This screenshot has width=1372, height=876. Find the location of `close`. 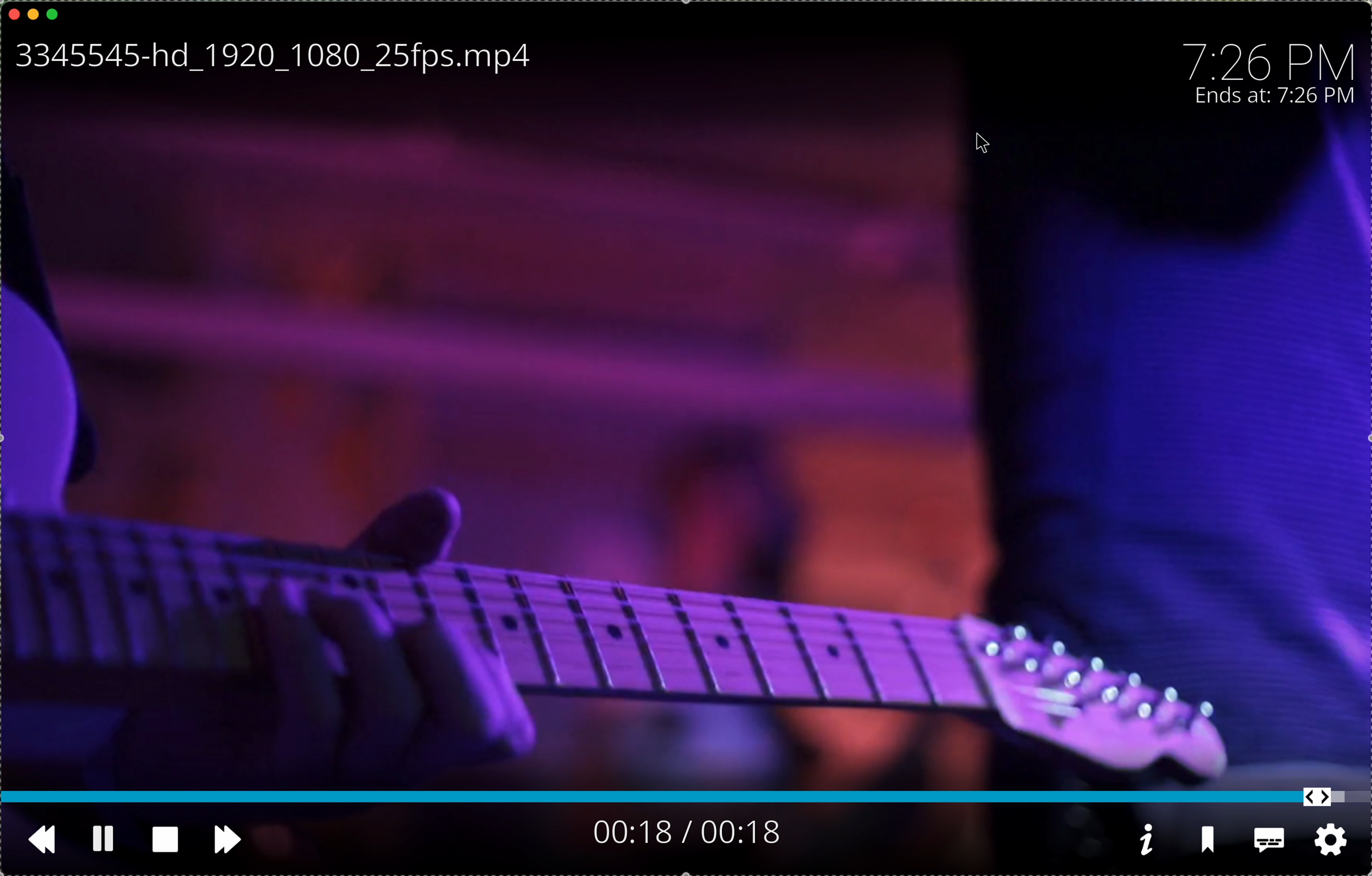

close is located at coordinates (14, 12).